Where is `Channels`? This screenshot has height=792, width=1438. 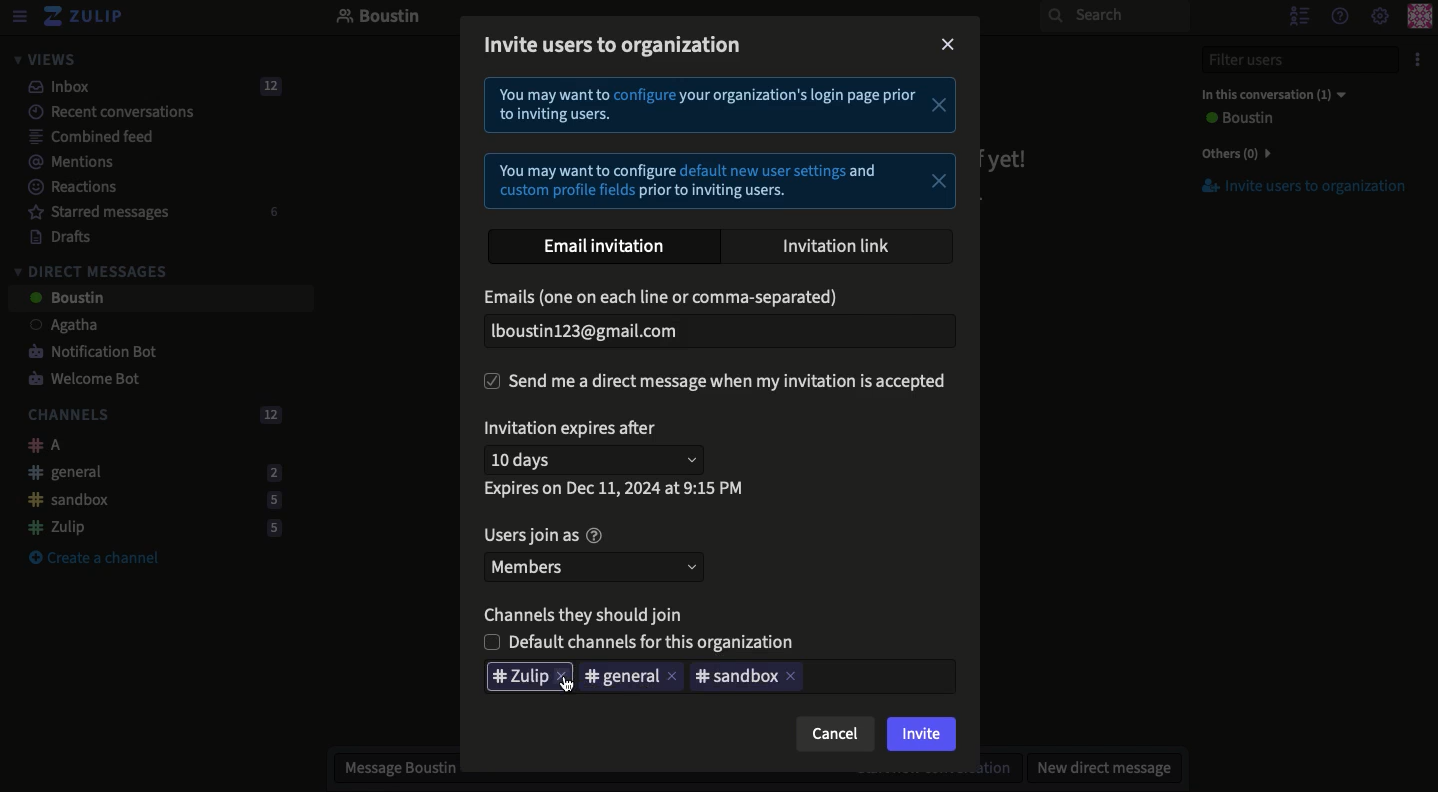 Channels is located at coordinates (150, 416).